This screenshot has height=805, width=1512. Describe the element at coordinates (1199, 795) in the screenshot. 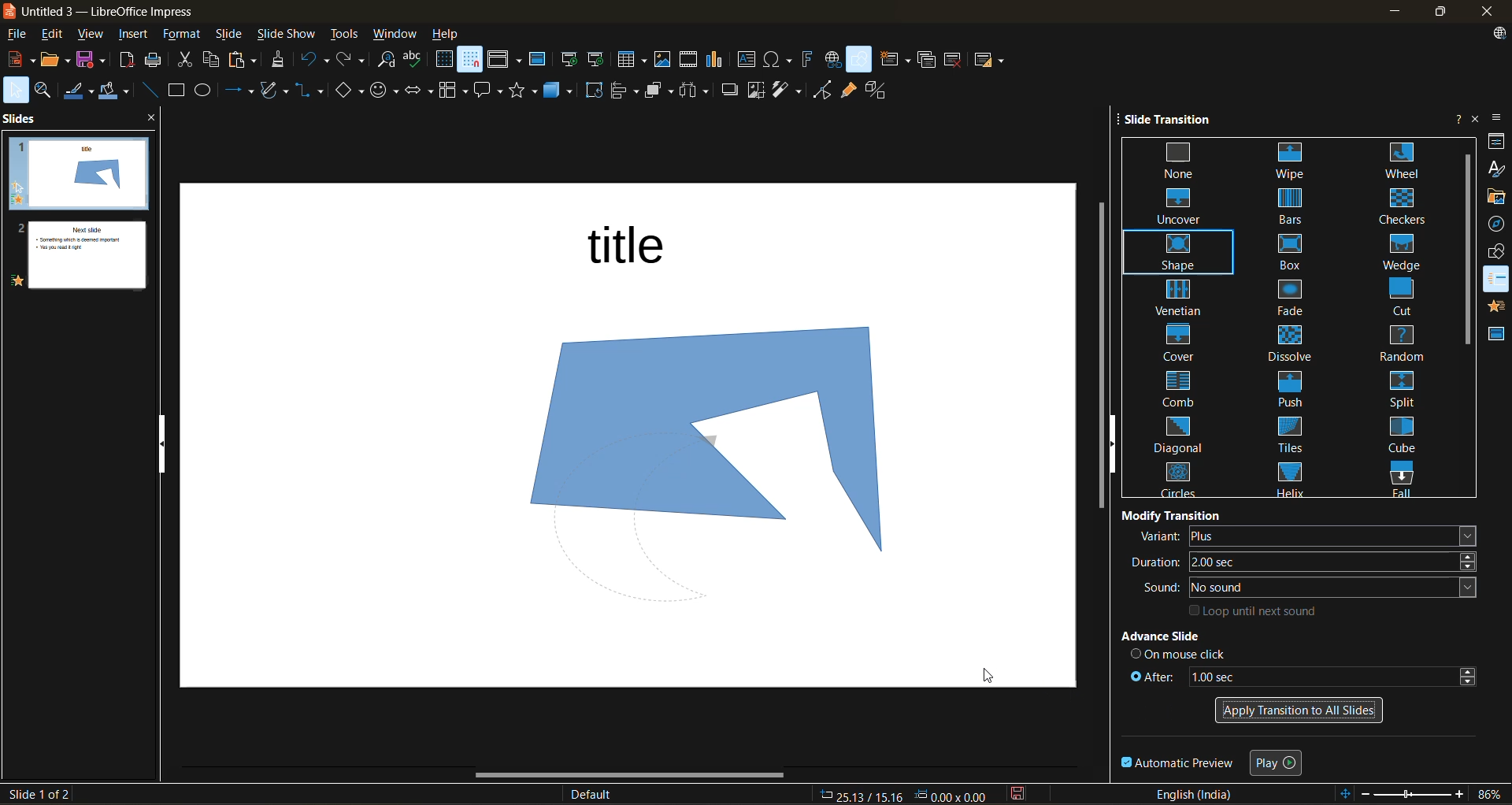

I see `text language` at that location.